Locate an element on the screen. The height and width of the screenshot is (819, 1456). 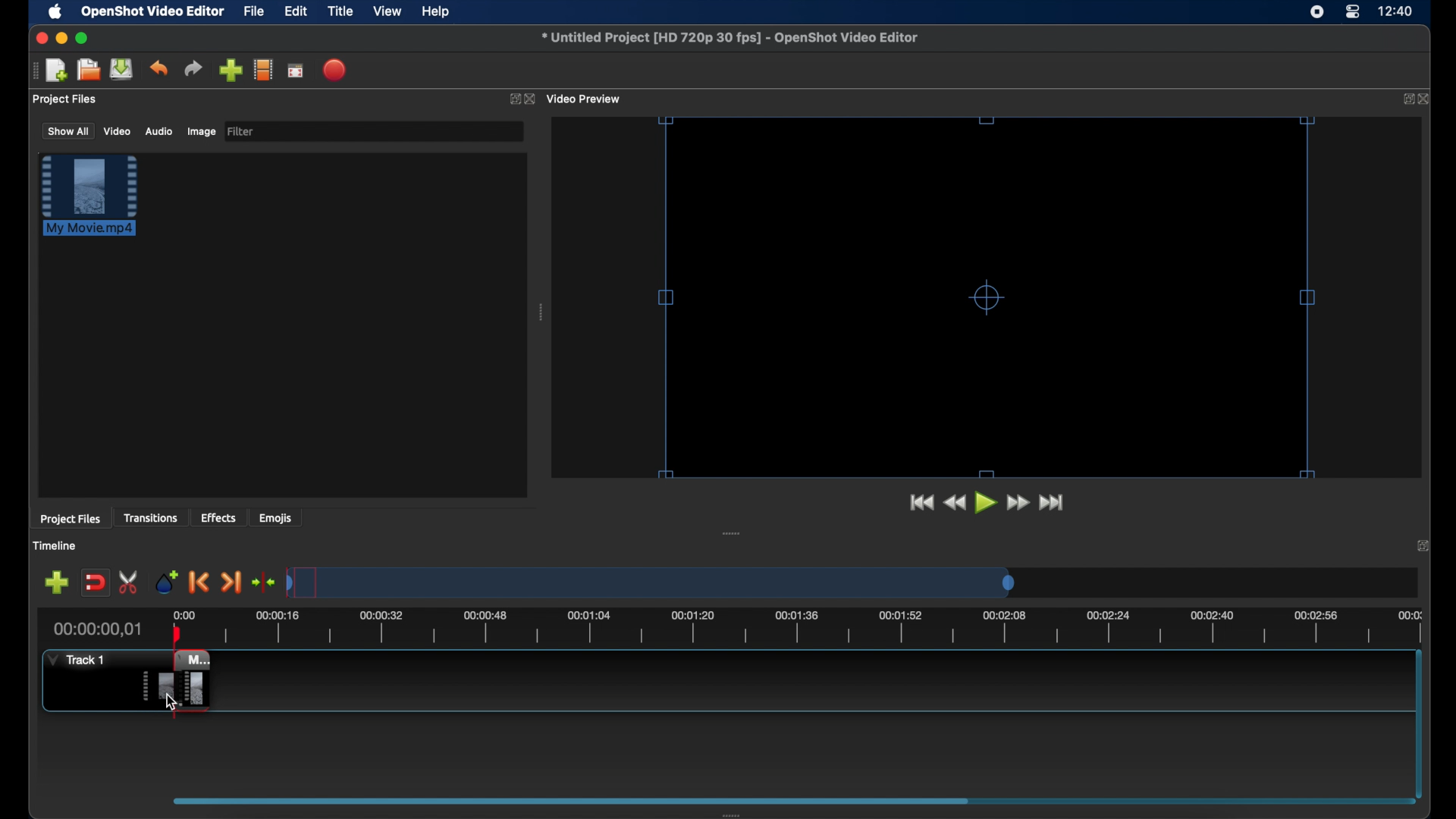
image is located at coordinates (200, 132).